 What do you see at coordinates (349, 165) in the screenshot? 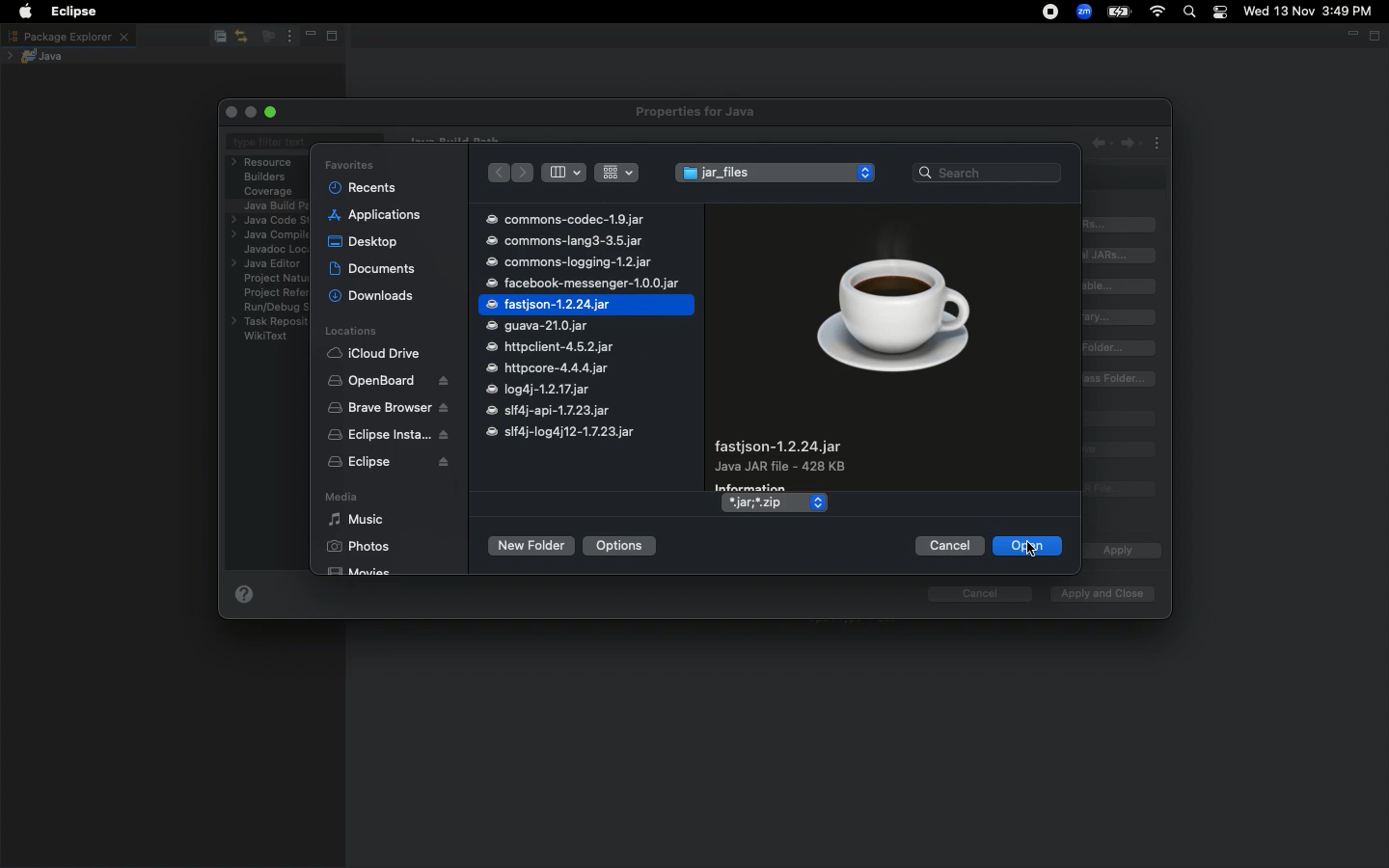
I see `Favorites` at bounding box center [349, 165].